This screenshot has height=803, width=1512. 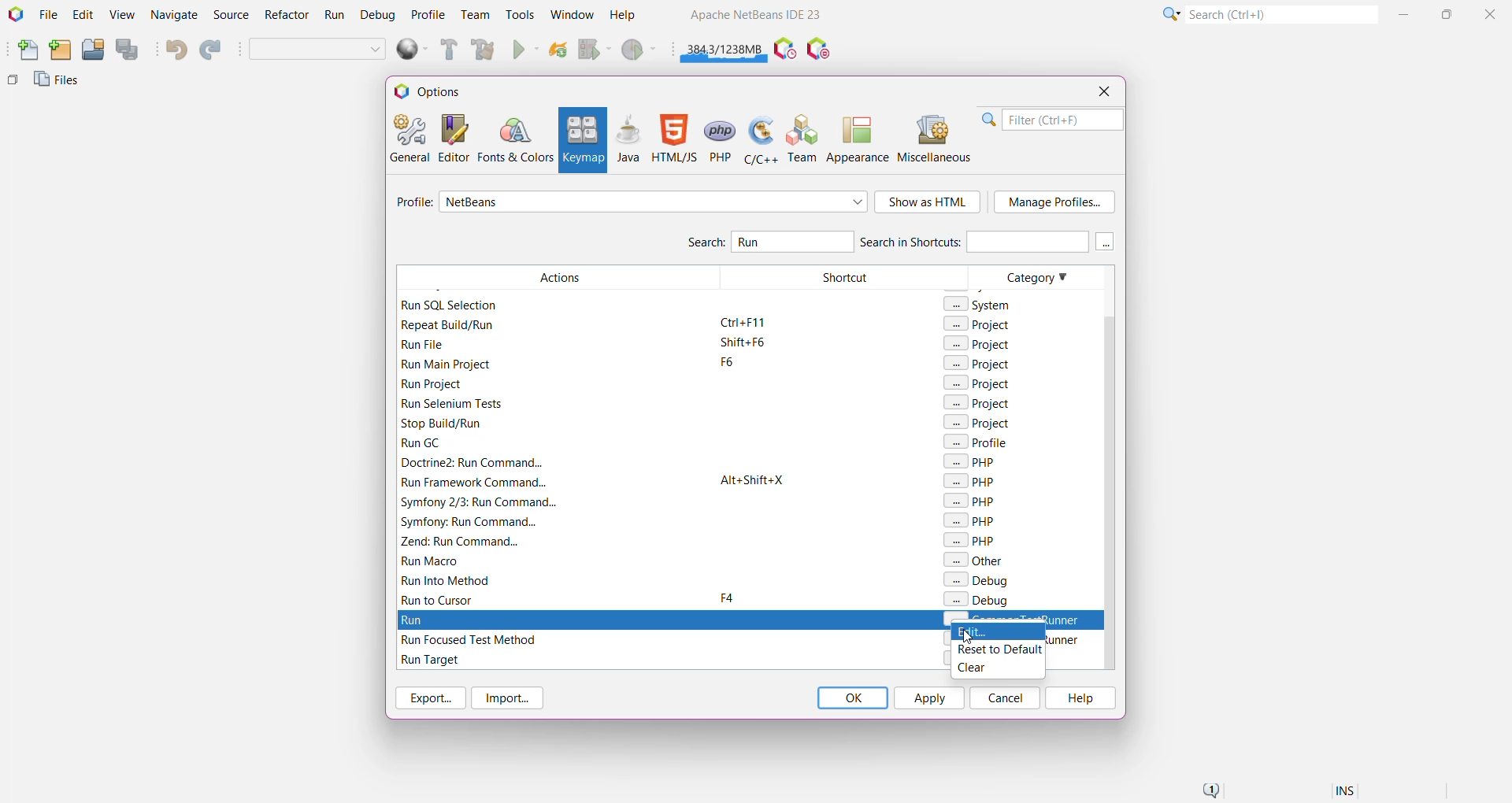 I want to click on Debug Main Project, so click(x=594, y=50).